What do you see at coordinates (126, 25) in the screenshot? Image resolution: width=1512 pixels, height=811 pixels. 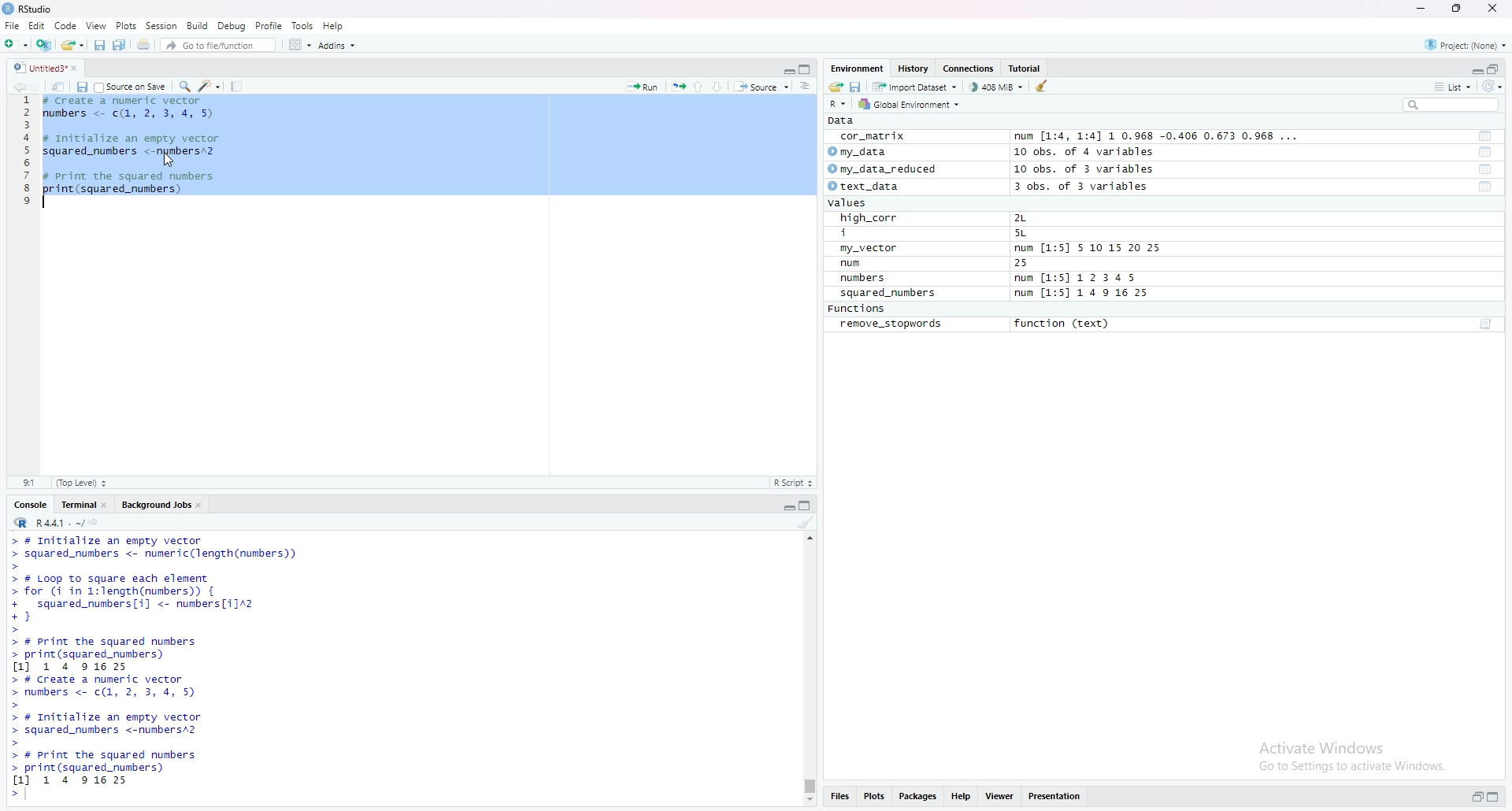 I see `Plots` at bounding box center [126, 25].